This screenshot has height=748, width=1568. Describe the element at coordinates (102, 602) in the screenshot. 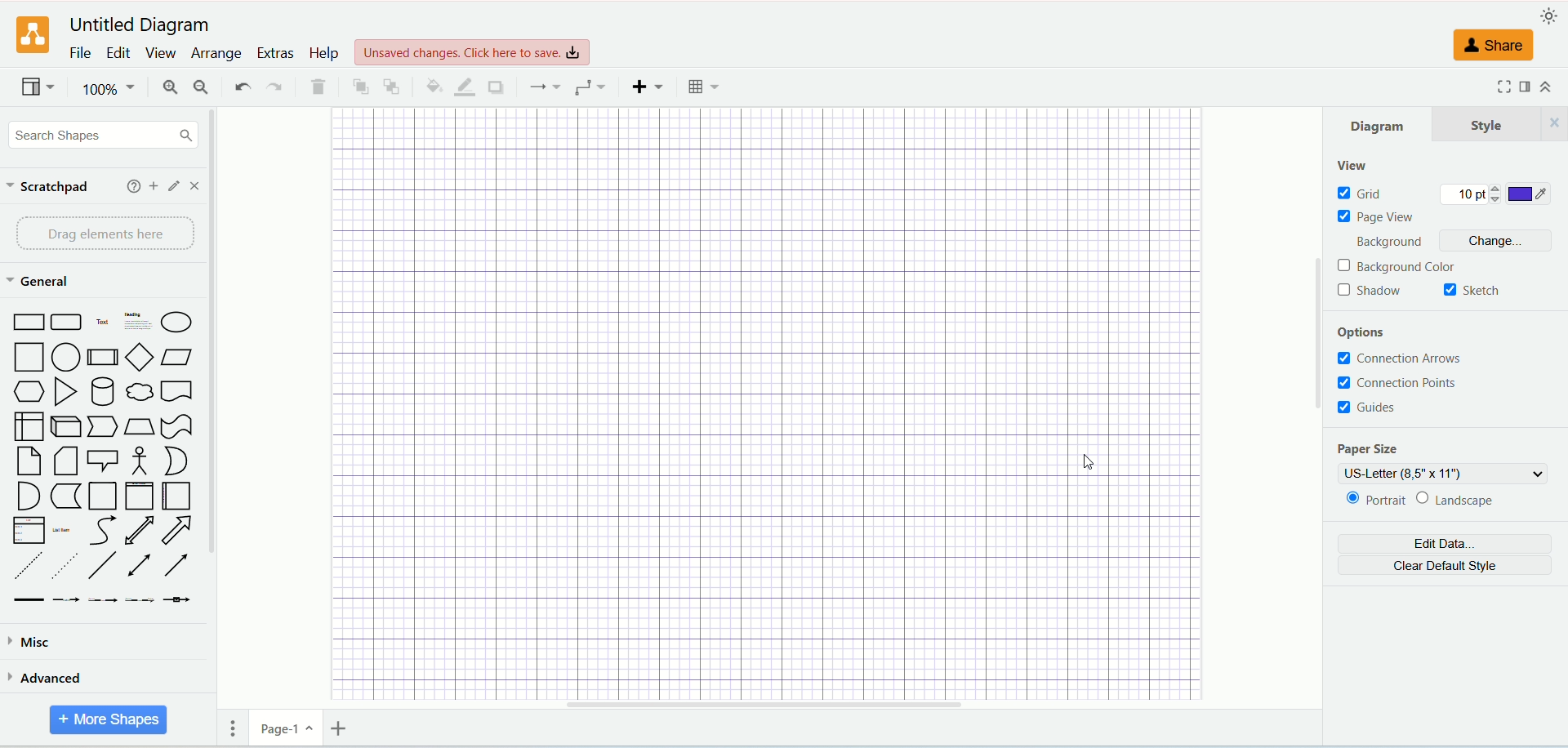

I see `Connector with 2 Labels` at that location.